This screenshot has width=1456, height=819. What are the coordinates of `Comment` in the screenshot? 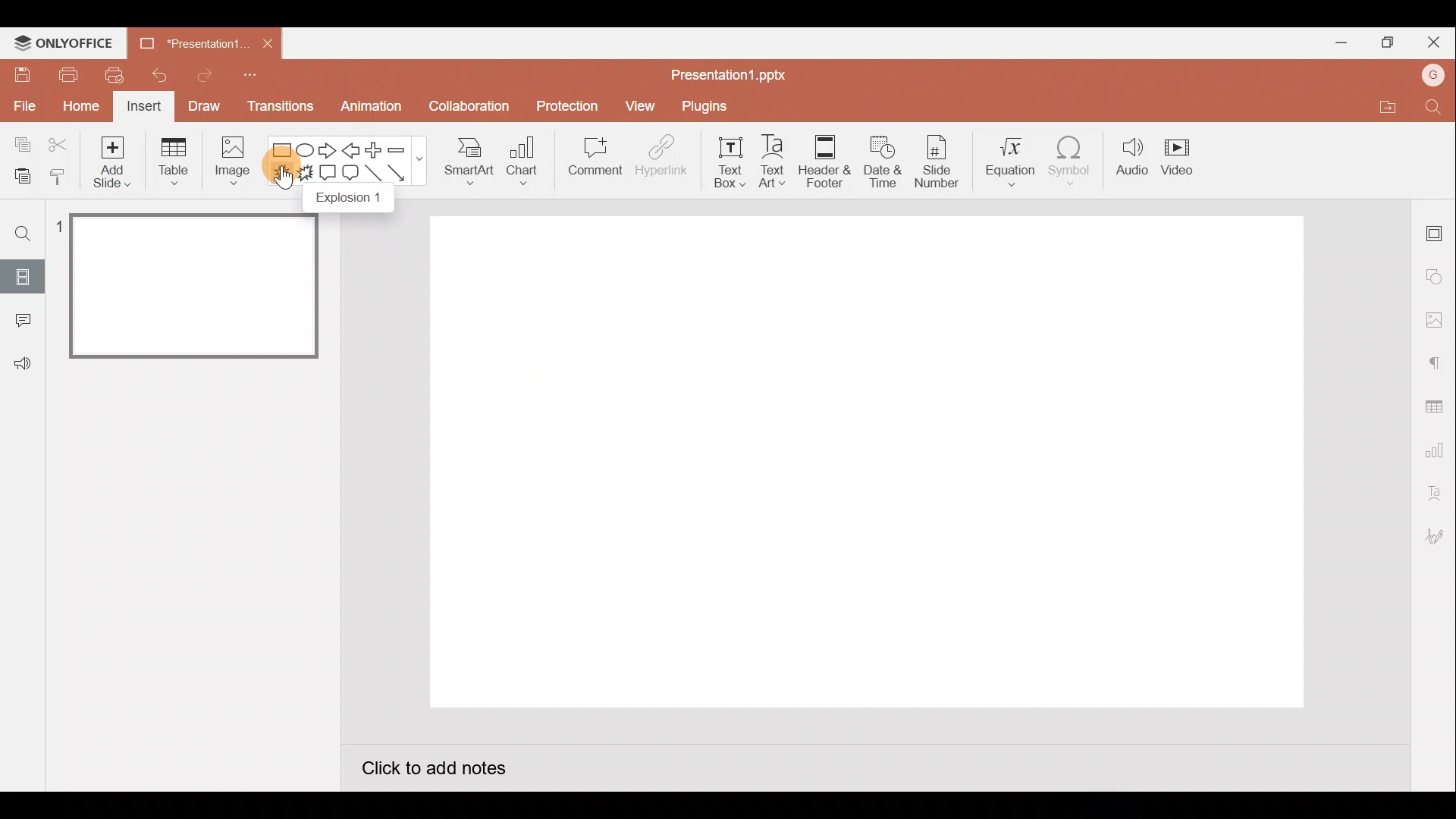 It's located at (592, 162).